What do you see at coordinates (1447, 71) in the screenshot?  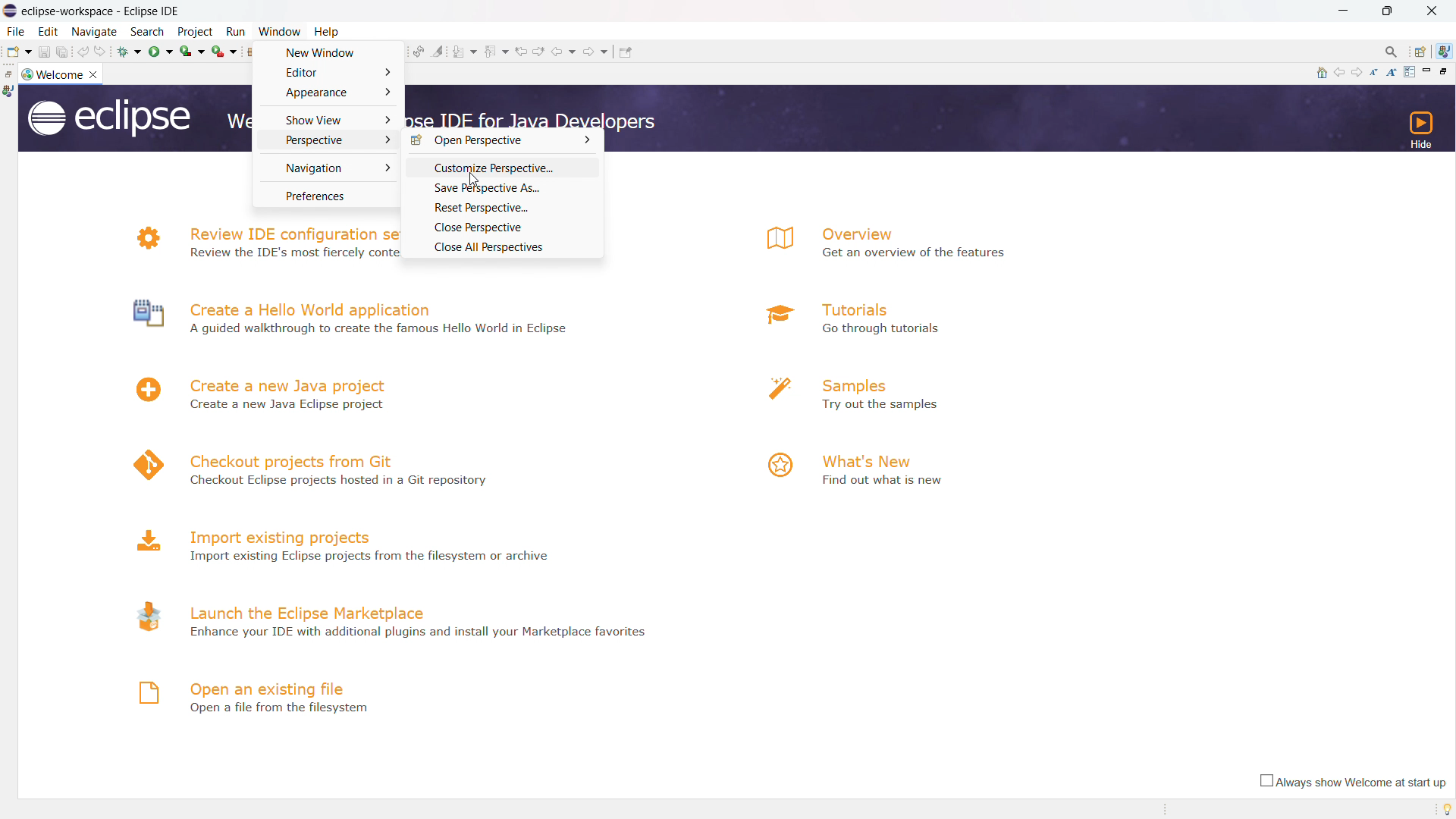 I see `restore` at bounding box center [1447, 71].